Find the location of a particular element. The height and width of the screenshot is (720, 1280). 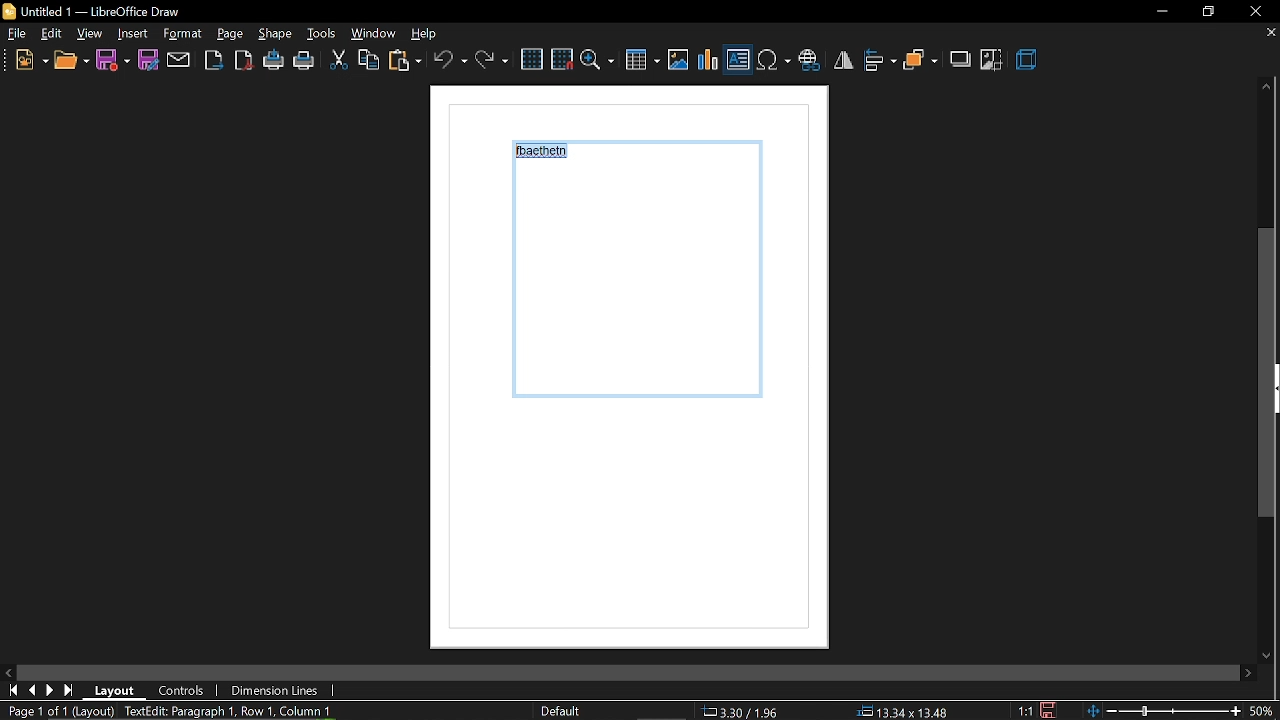

go to first page is located at coordinates (10, 690).